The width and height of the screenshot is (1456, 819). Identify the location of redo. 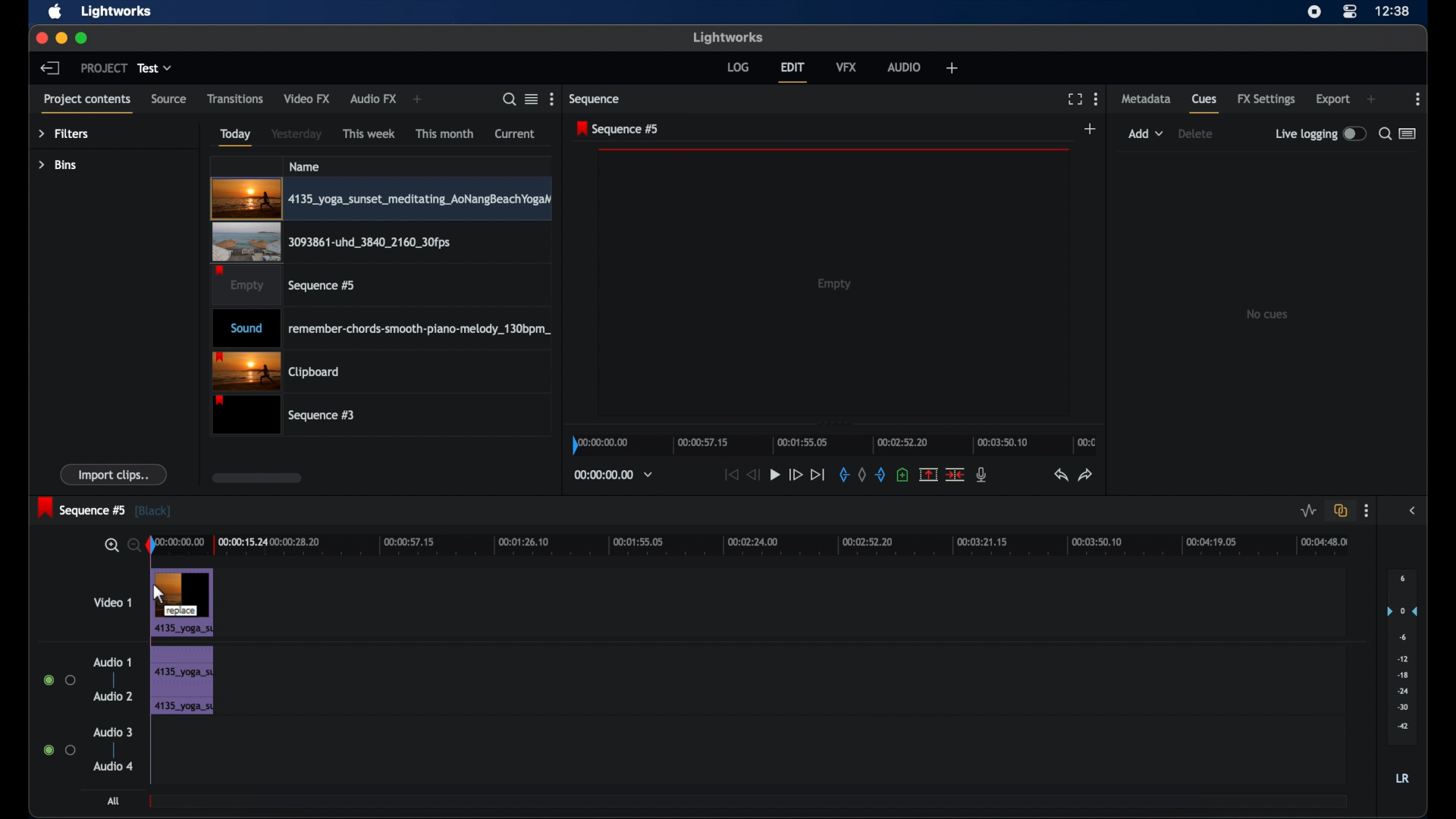
(1086, 475).